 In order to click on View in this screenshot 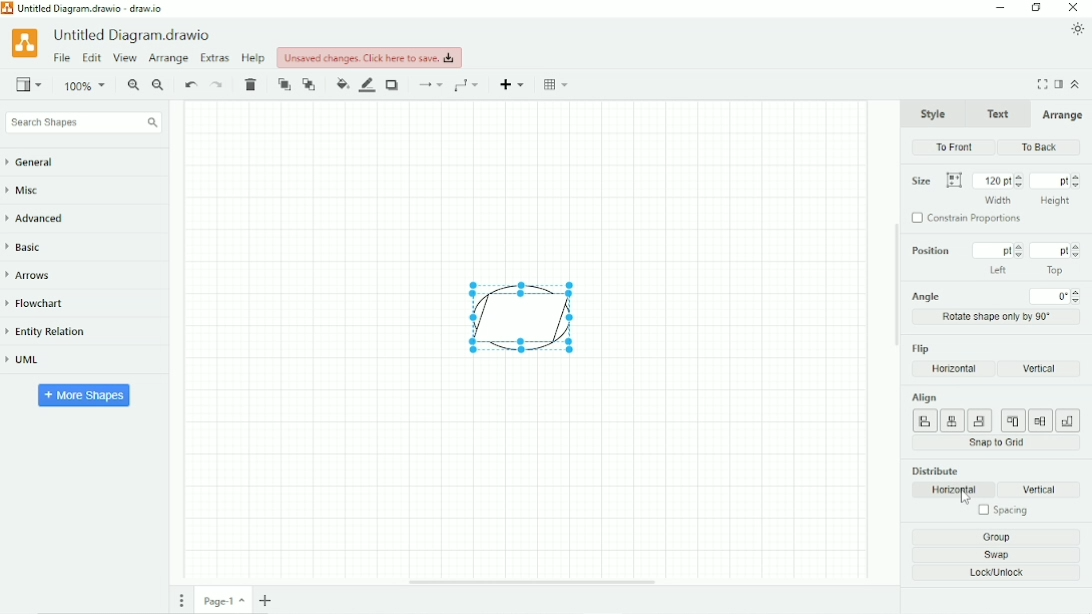, I will do `click(125, 59)`.